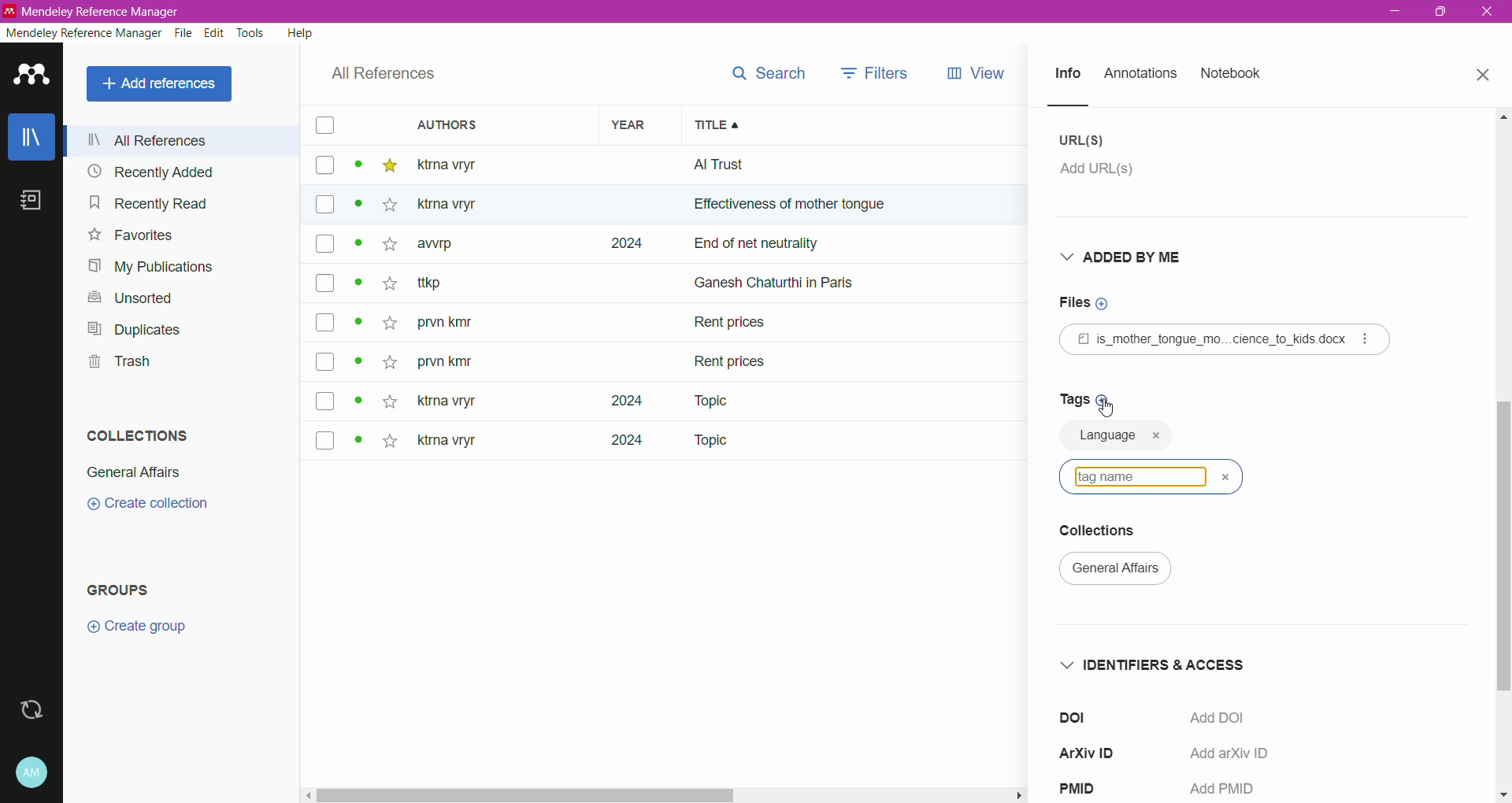 The image size is (1512, 803). I want to click on Collections, so click(1111, 532).